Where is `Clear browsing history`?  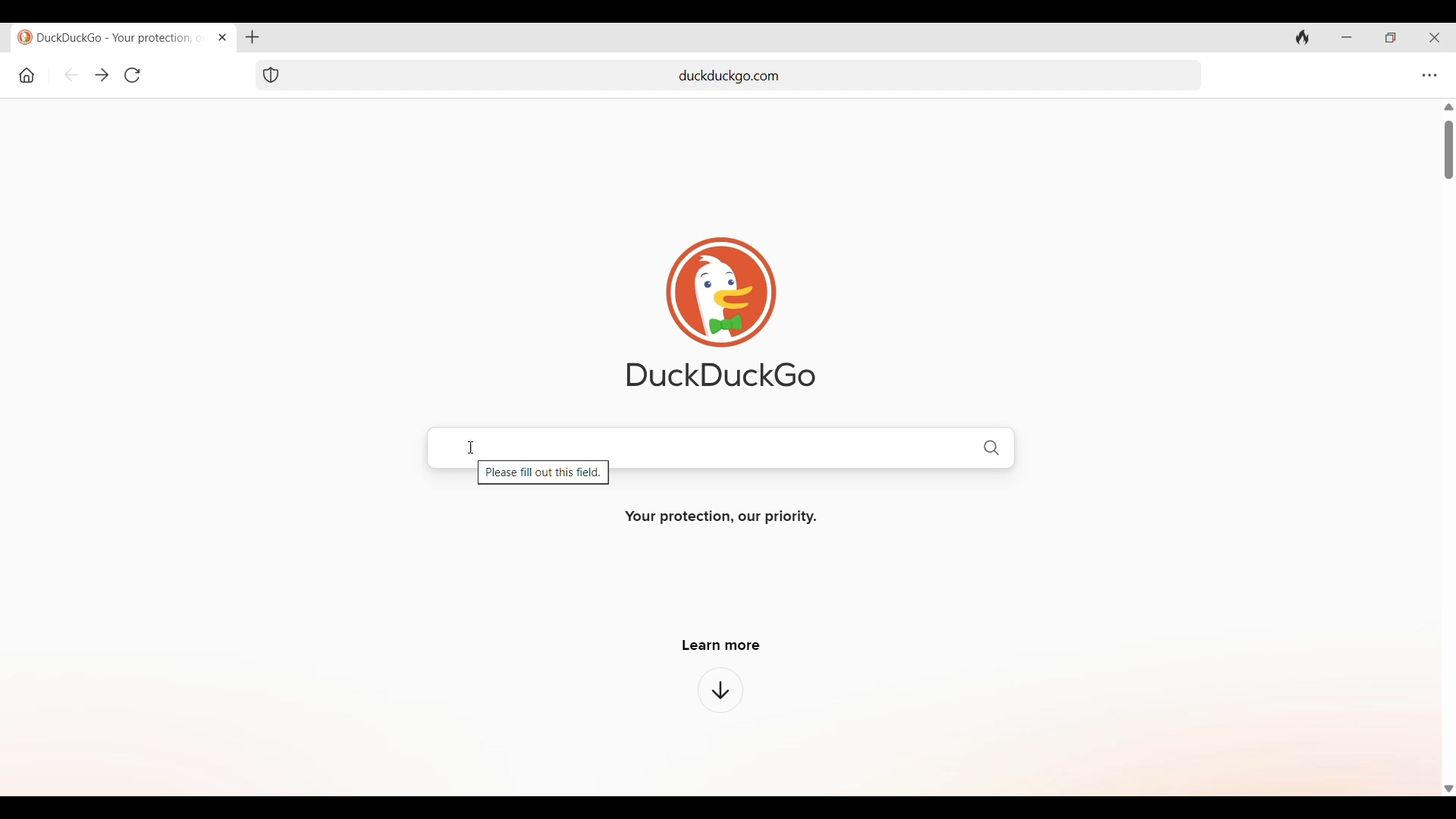 Clear browsing history is located at coordinates (1303, 36).